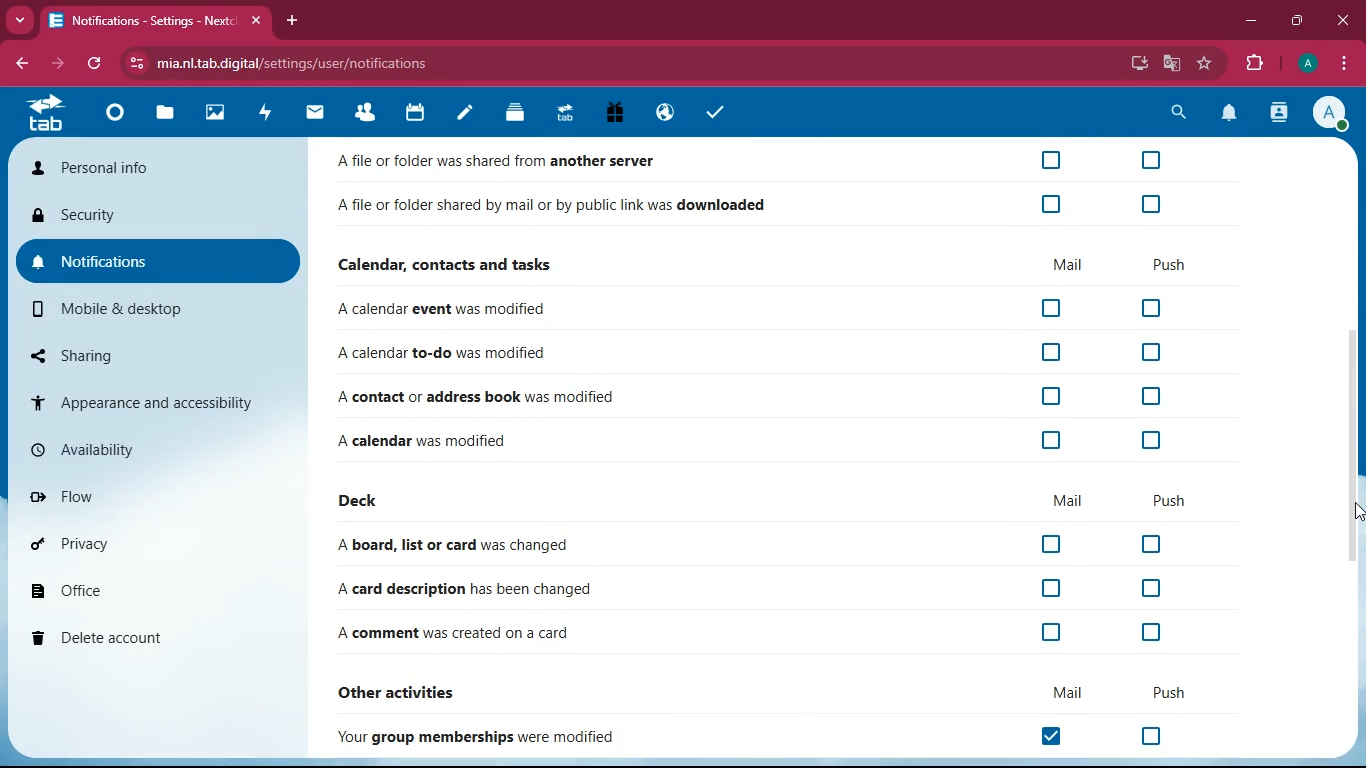 The image size is (1366, 768). What do you see at coordinates (162, 113) in the screenshot?
I see `file` at bounding box center [162, 113].